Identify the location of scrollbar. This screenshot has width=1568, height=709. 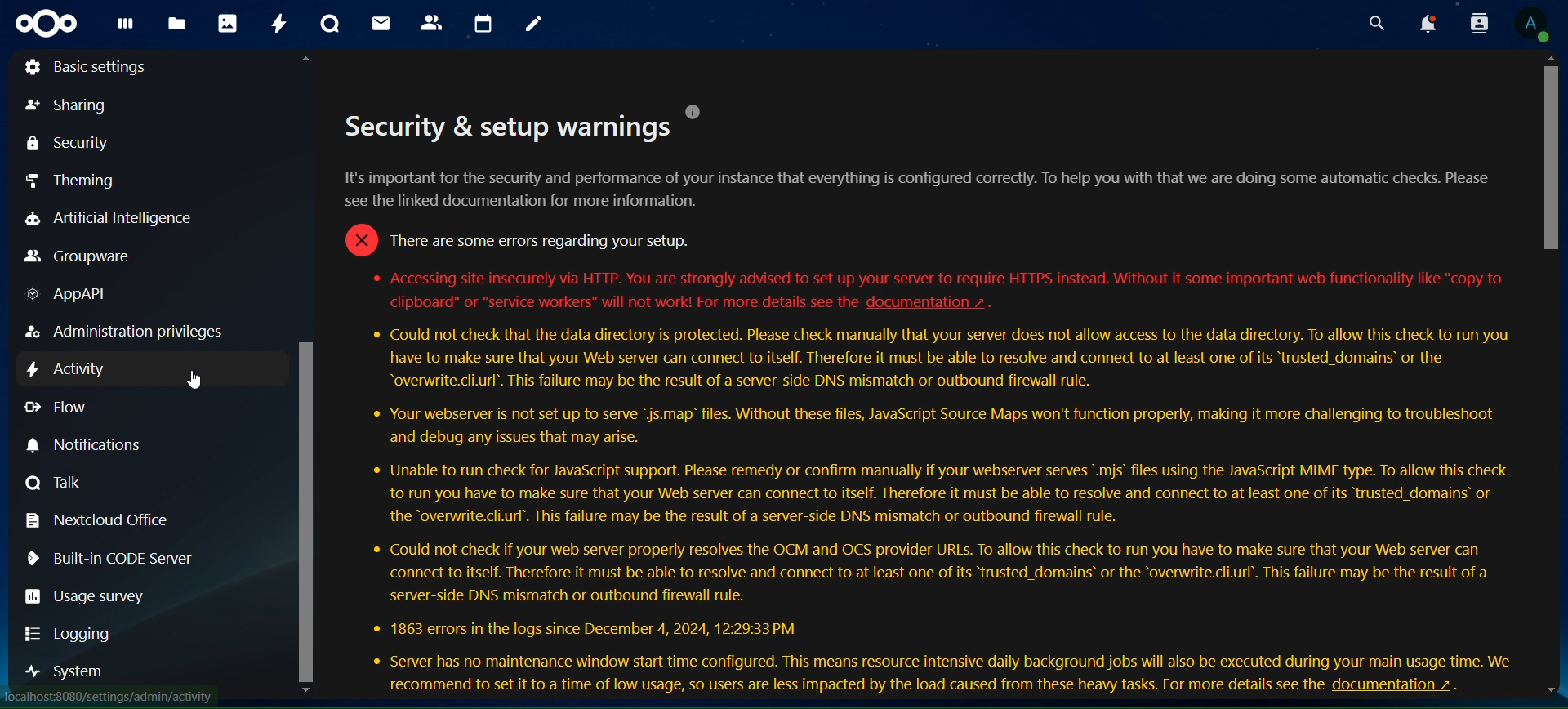
(1552, 286).